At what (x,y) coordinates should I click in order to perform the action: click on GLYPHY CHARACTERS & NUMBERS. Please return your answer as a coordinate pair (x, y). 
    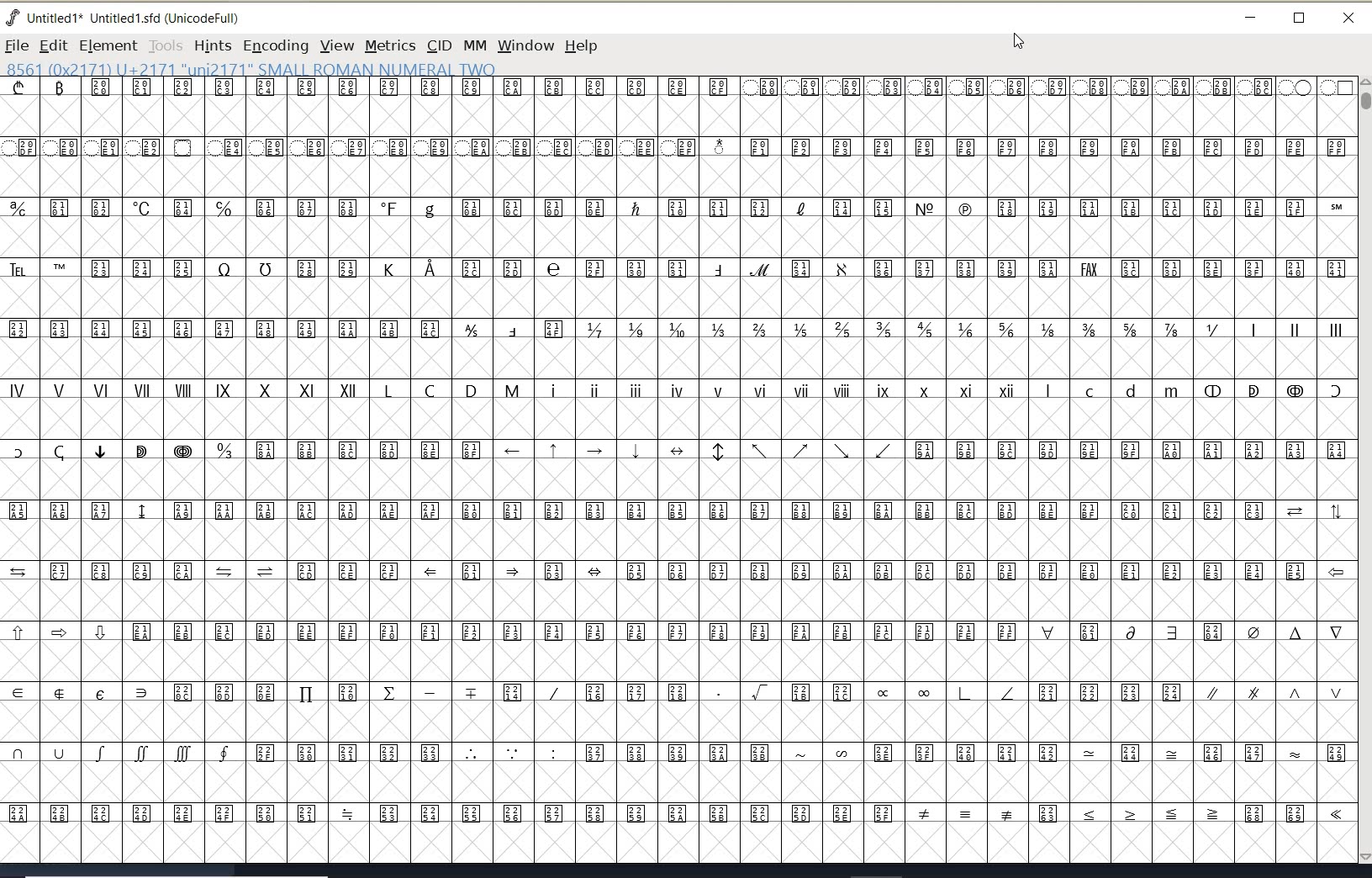
    Looking at the image, I should click on (677, 462).